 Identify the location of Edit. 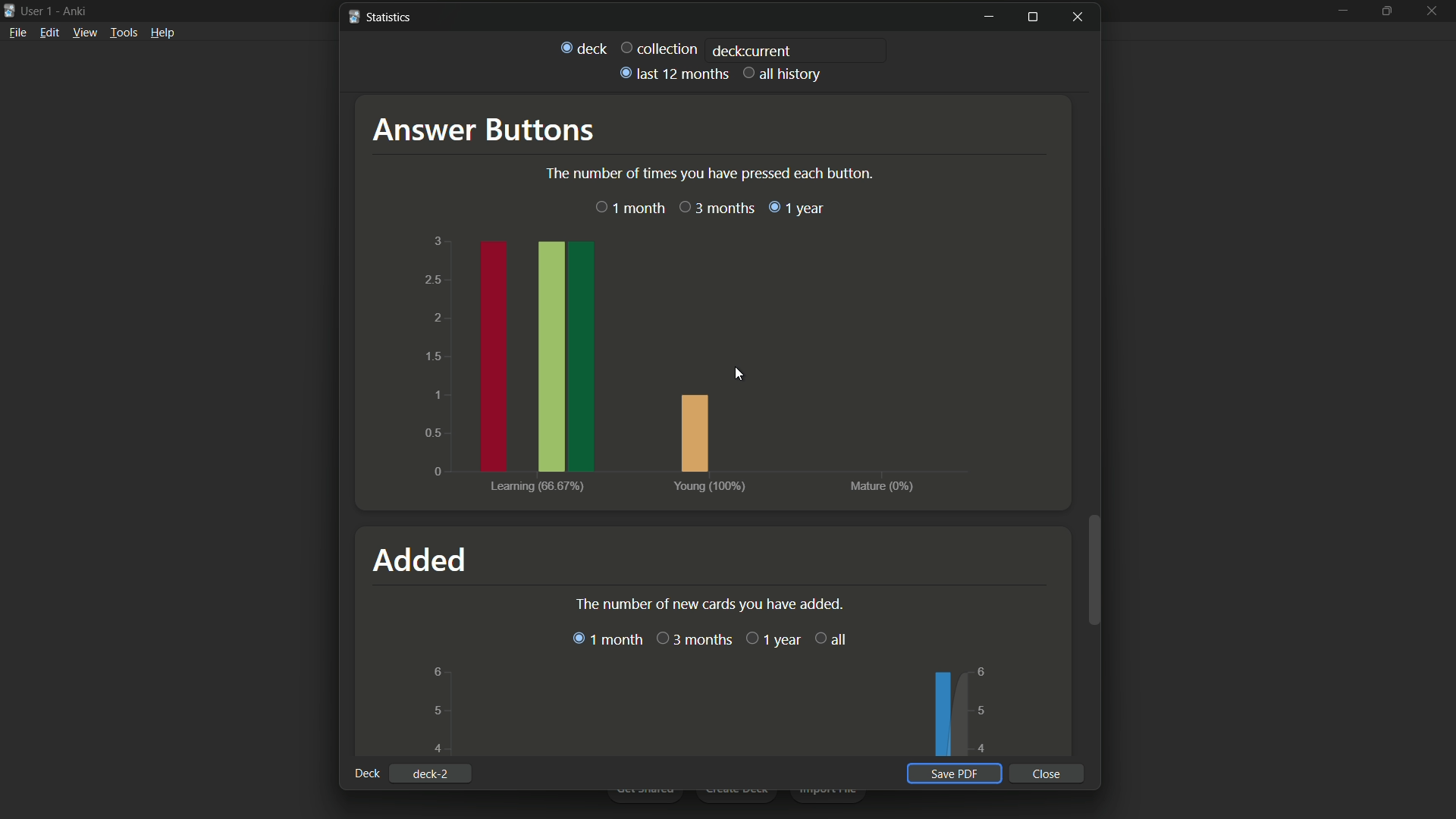
(49, 35).